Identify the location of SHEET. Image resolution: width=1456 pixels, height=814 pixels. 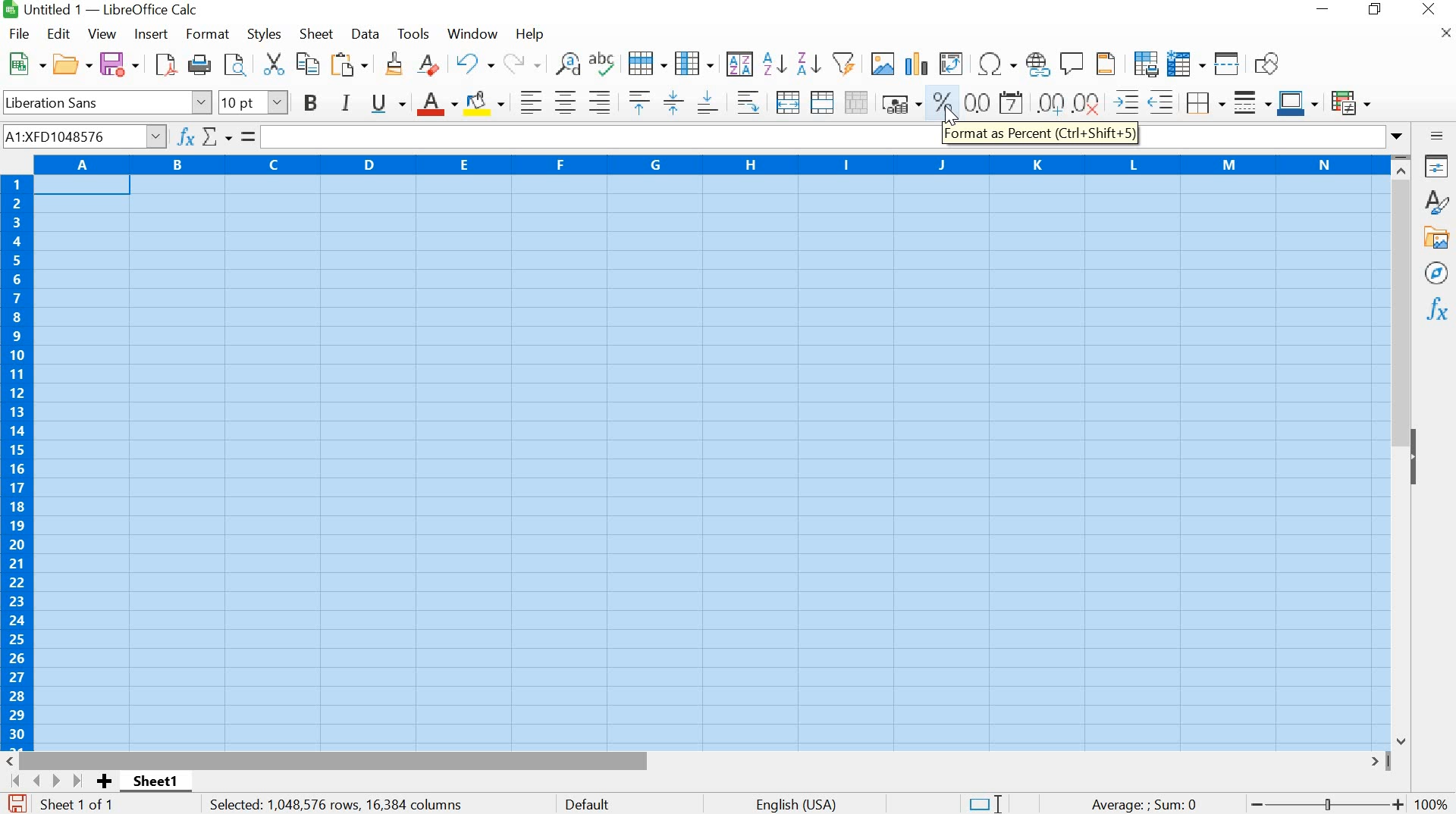
(318, 34).